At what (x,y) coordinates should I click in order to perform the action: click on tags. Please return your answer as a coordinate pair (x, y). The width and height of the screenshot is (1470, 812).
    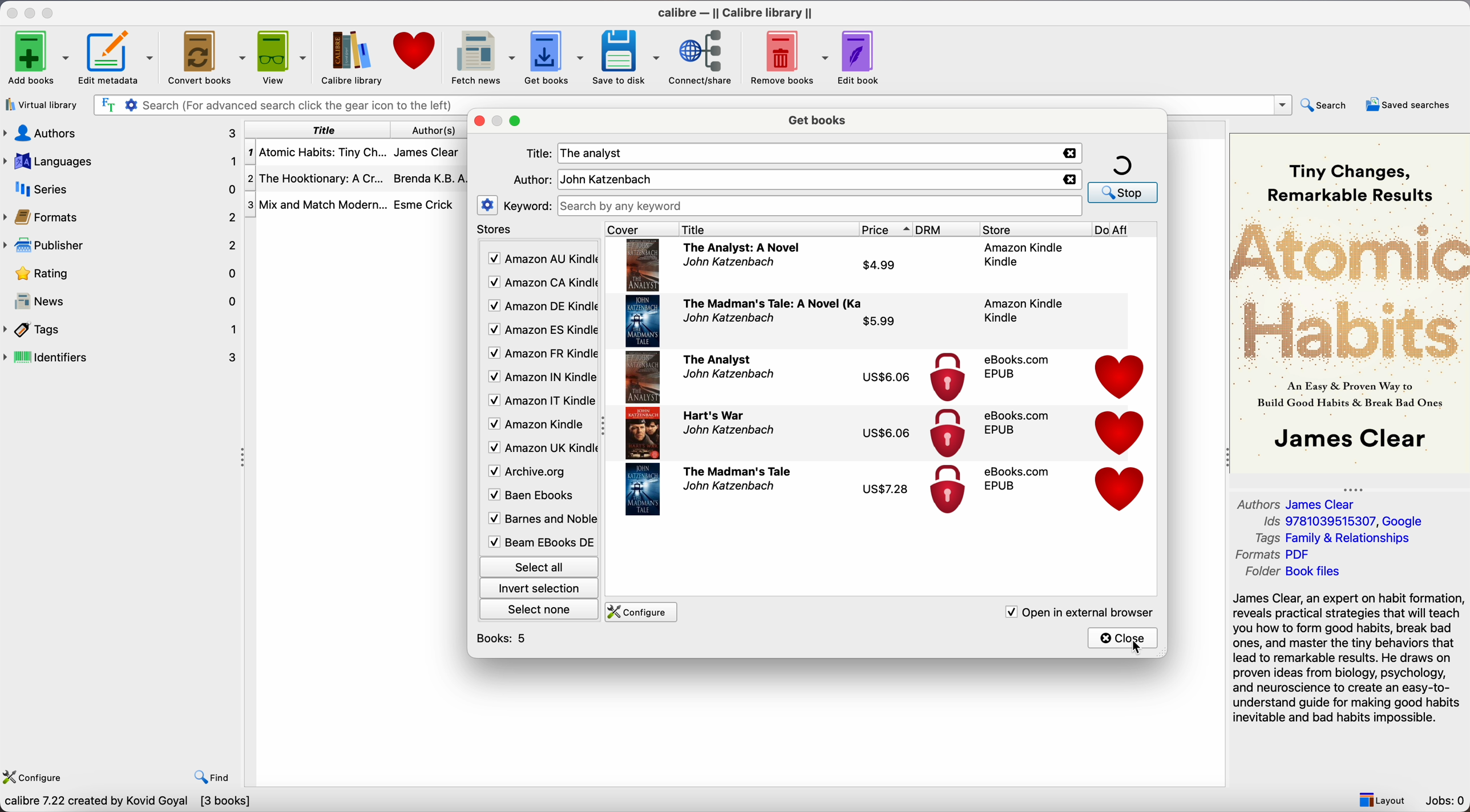
    Looking at the image, I should click on (122, 329).